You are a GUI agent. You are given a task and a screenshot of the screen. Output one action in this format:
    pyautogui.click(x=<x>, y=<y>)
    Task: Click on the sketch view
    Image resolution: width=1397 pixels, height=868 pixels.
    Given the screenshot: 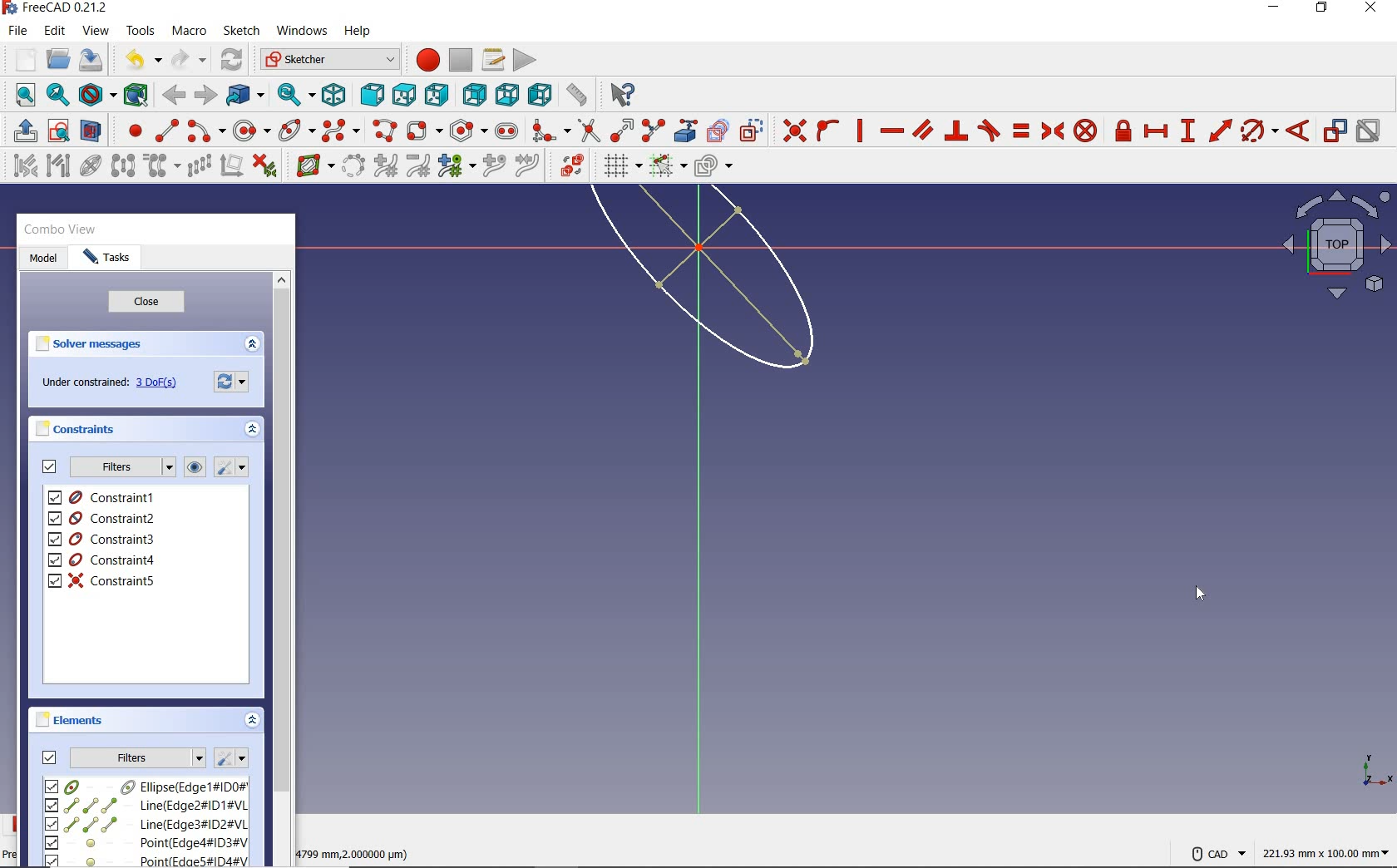 What is the action you would take?
    pyautogui.click(x=1334, y=244)
    